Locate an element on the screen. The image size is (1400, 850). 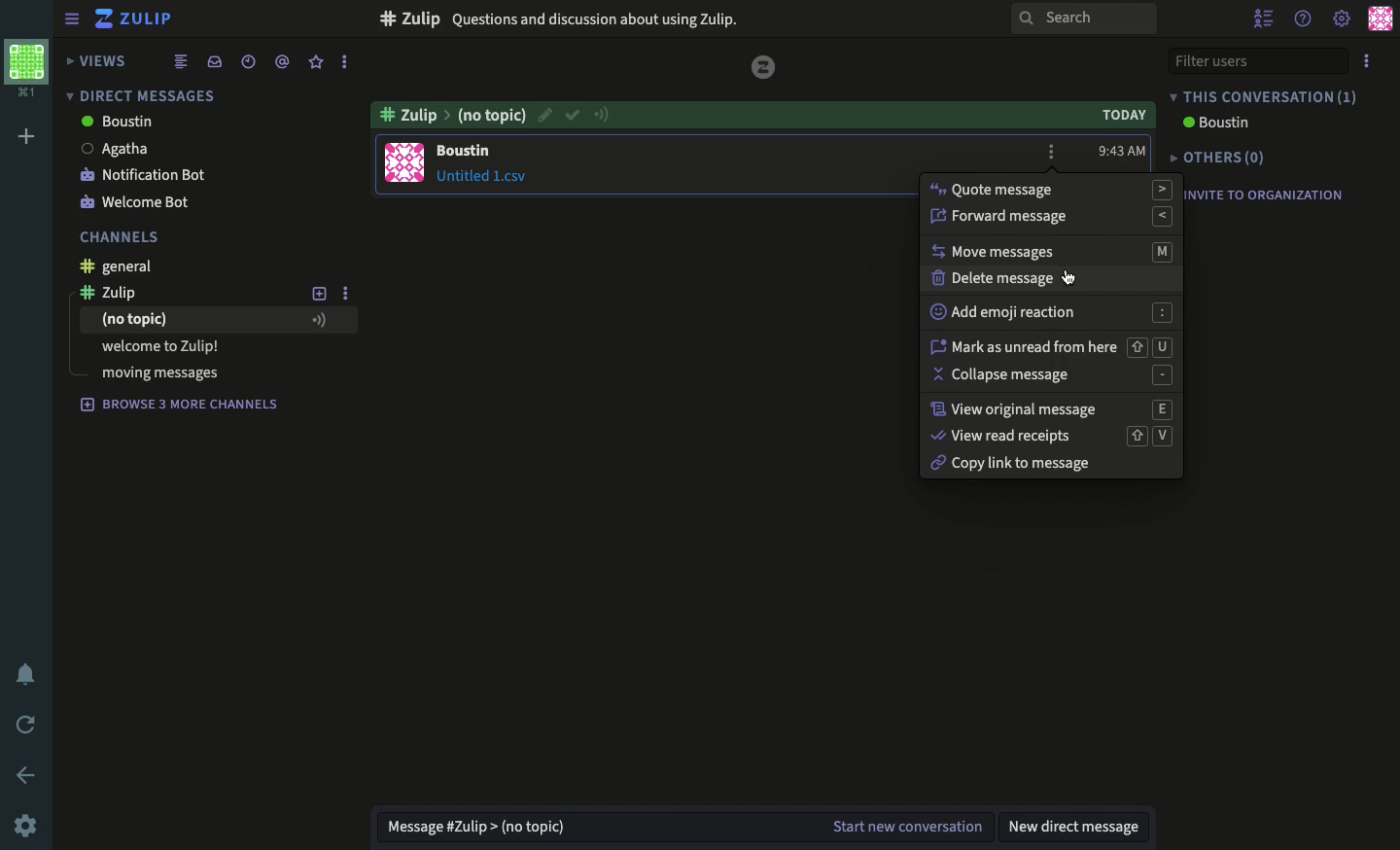
moving messages is located at coordinates (158, 374).